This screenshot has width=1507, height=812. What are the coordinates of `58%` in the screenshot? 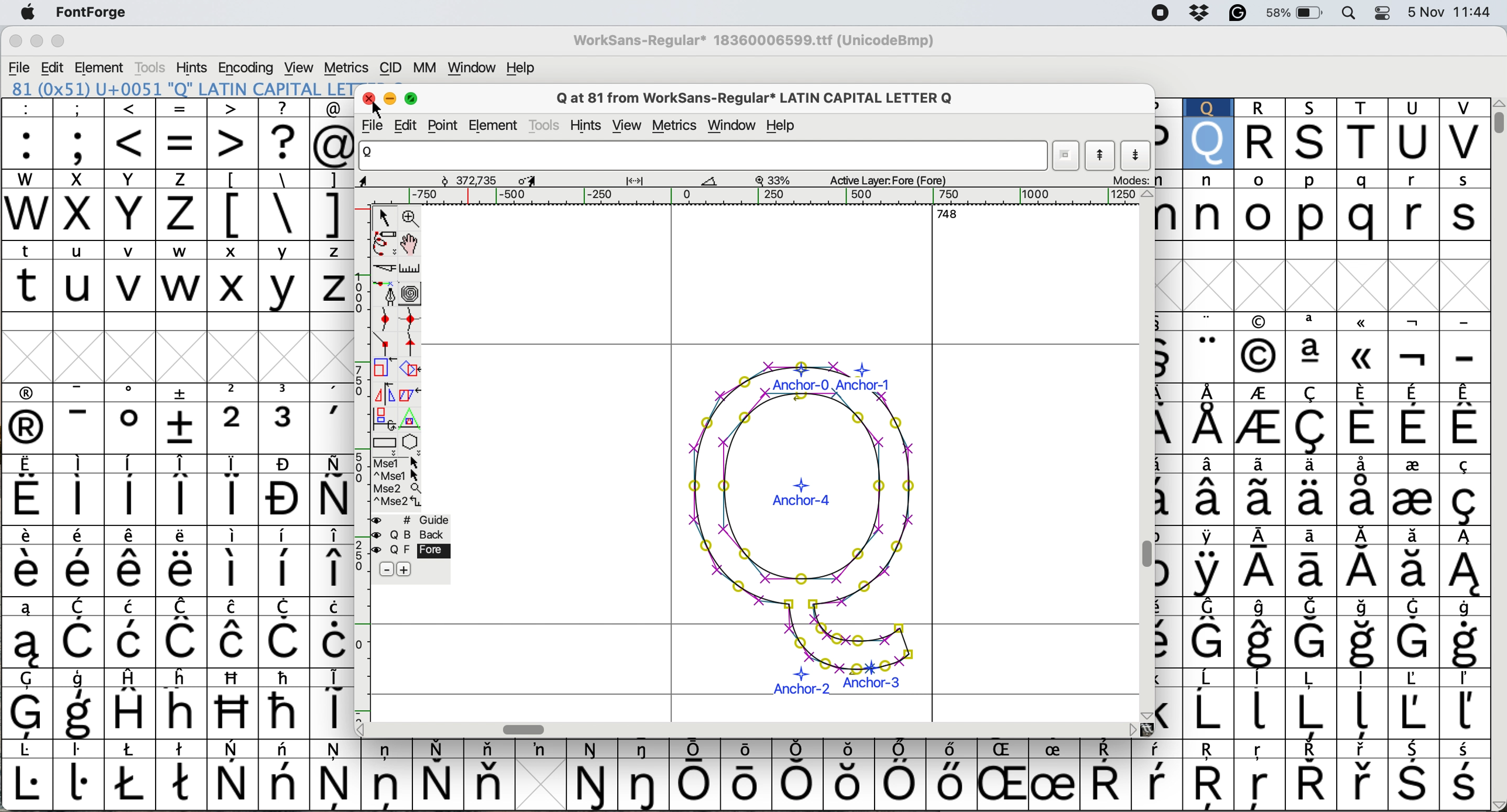 It's located at (1298, 14).